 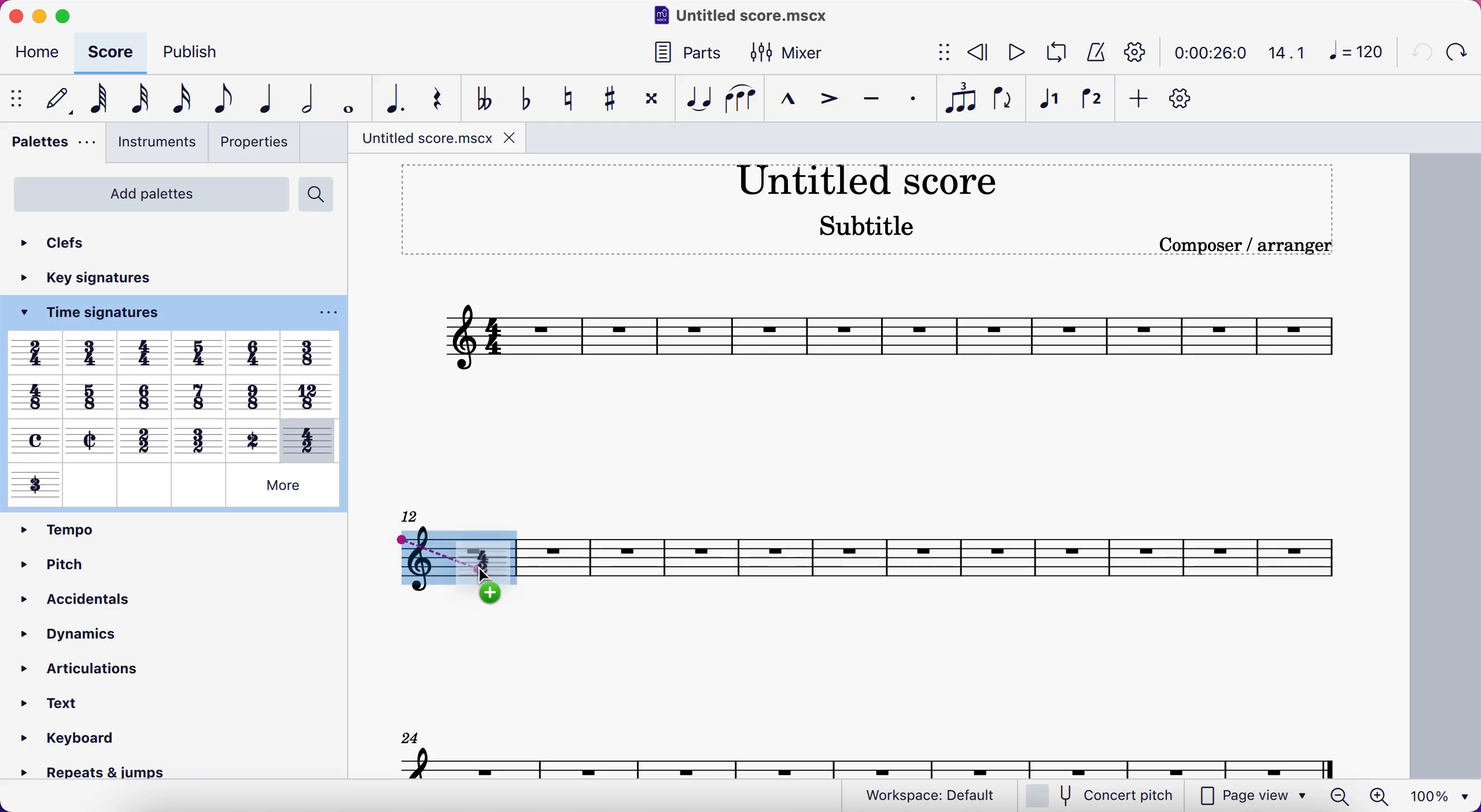 I want to click on toggle flat, so click(x=521, y=97).